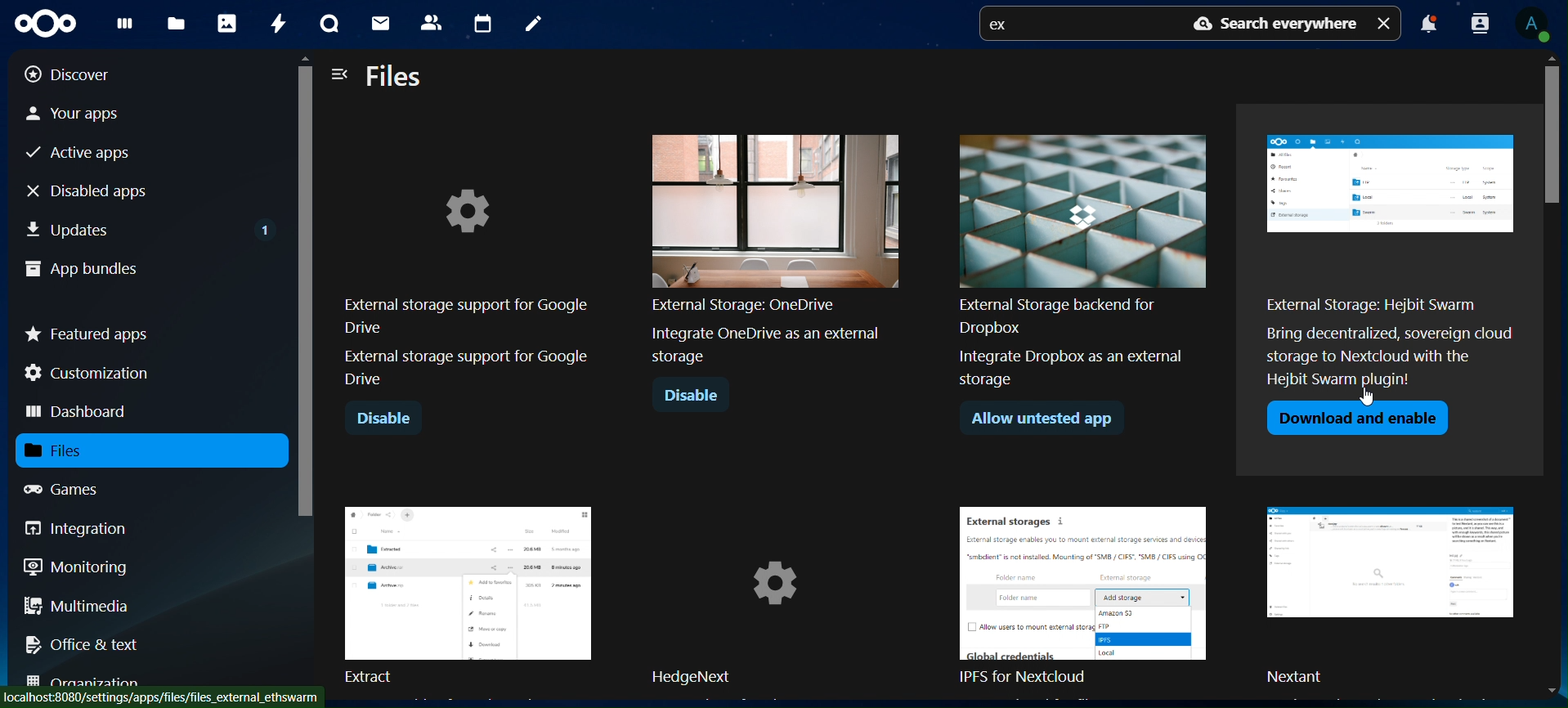  What do you see at coordinates (1083, 263) in the screenshot?
I see `external storage Hejbit Swarm Bring decentralized sovereign cloud storage to nextcloud with the Hejbit Swarm plugin` at bounding box center [1083, 263].